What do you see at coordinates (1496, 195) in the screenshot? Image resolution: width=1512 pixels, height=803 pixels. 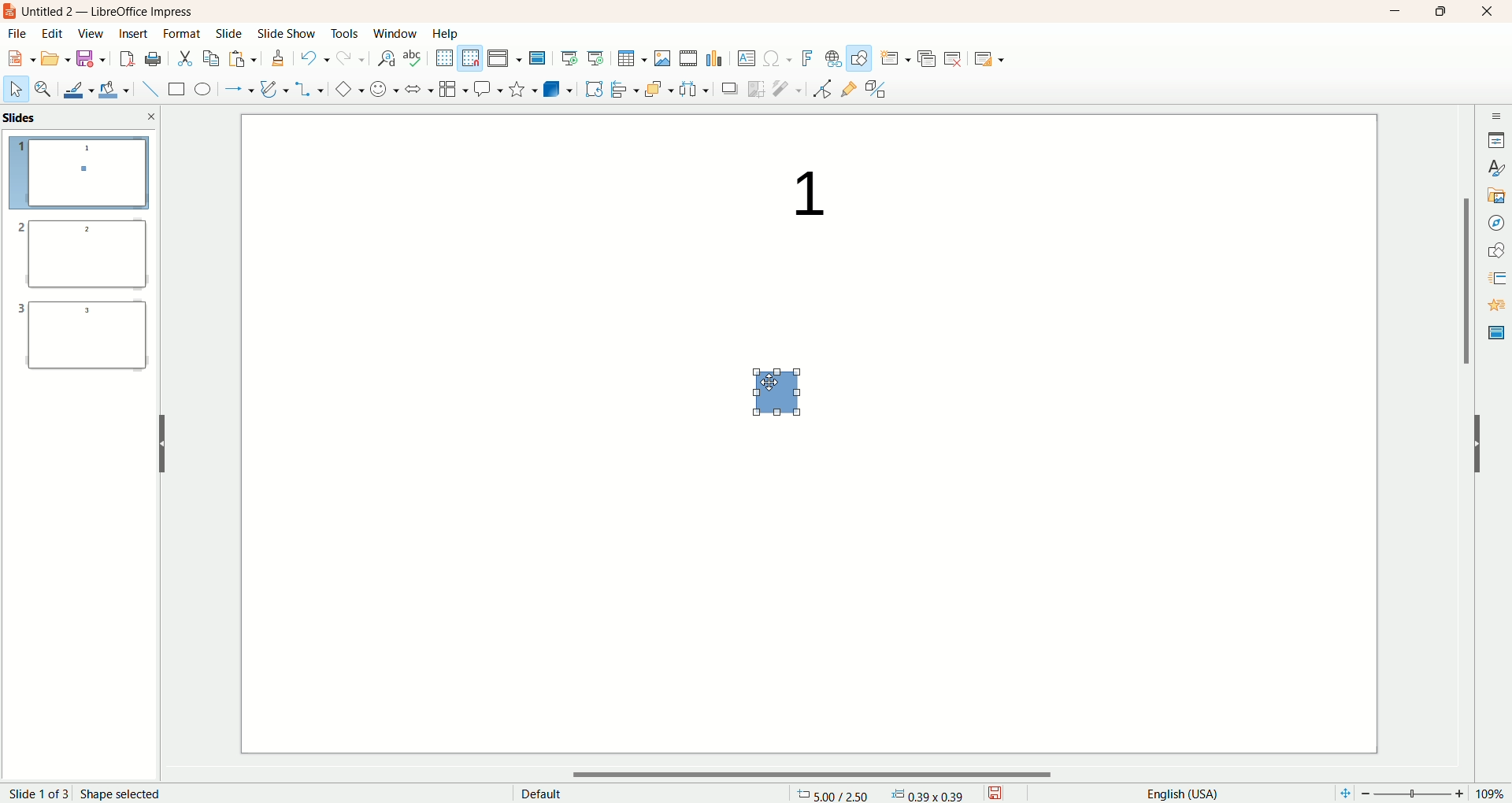 I see `gallery` at bounding box center [1496, 195].